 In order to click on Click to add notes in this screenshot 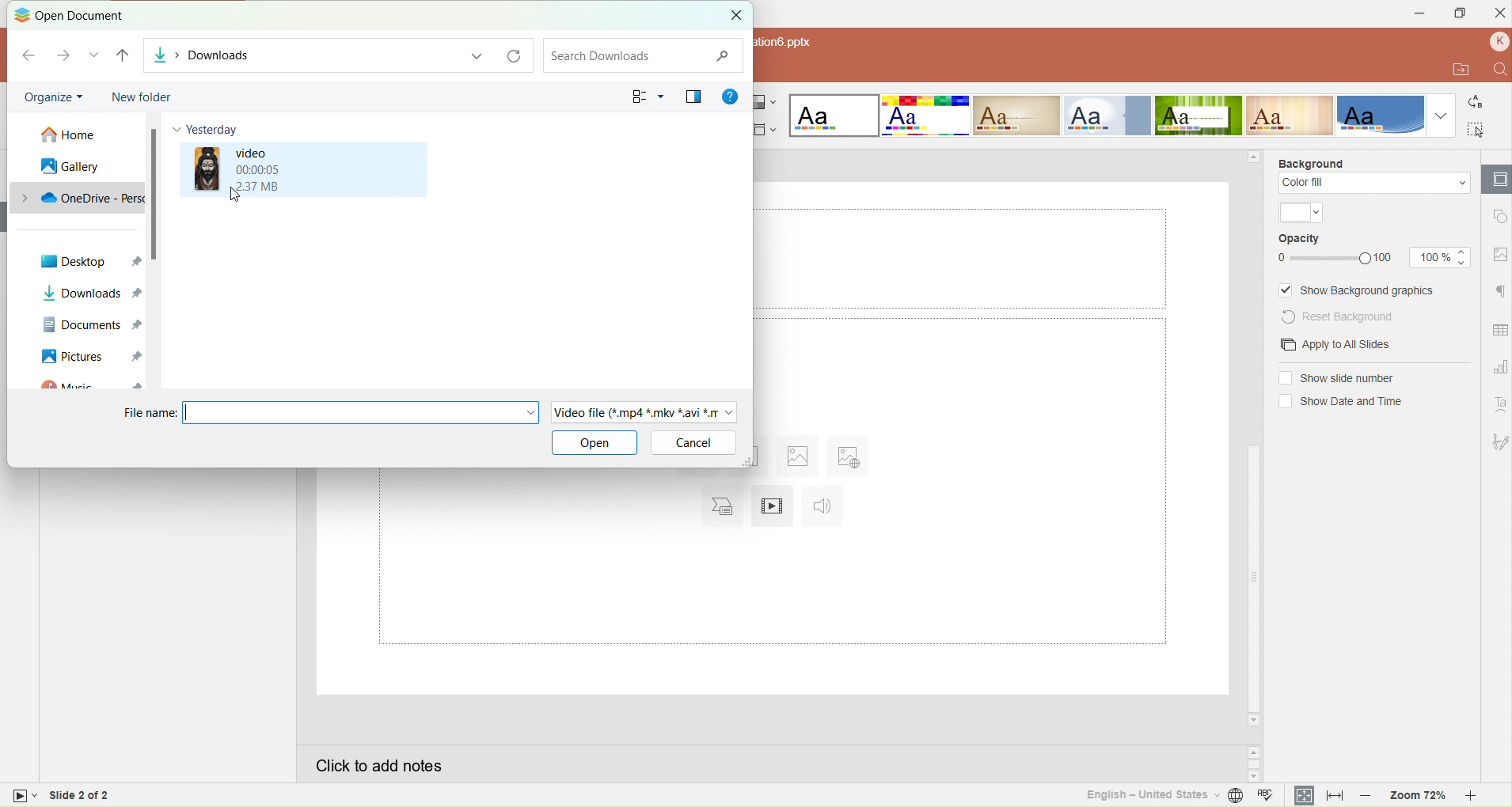, I will do `click(764, 763)`.